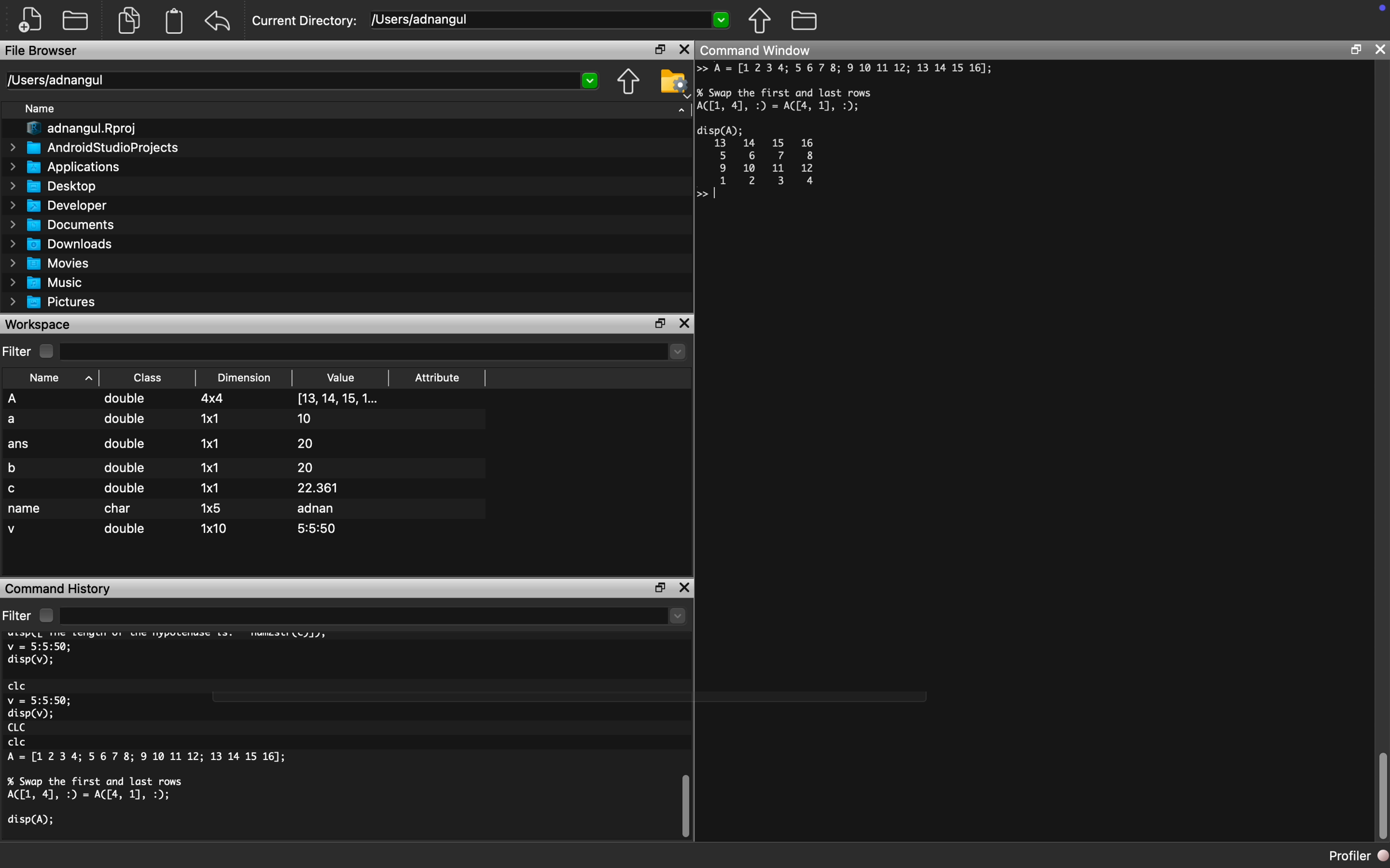  I want to click on Restore, so click(658, 323).